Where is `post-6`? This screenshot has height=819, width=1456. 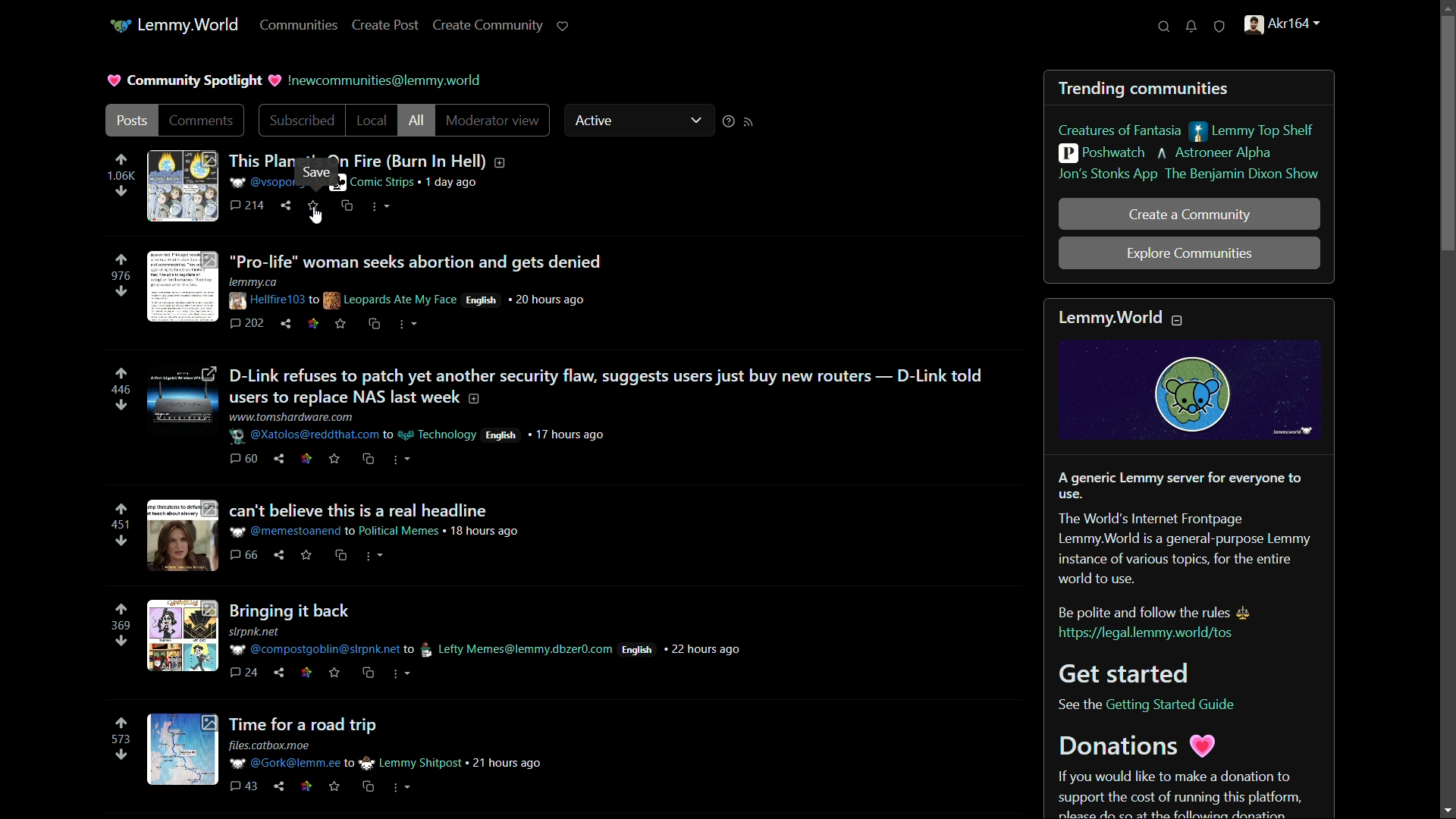
post-6 is located at coordinates (349, 754).